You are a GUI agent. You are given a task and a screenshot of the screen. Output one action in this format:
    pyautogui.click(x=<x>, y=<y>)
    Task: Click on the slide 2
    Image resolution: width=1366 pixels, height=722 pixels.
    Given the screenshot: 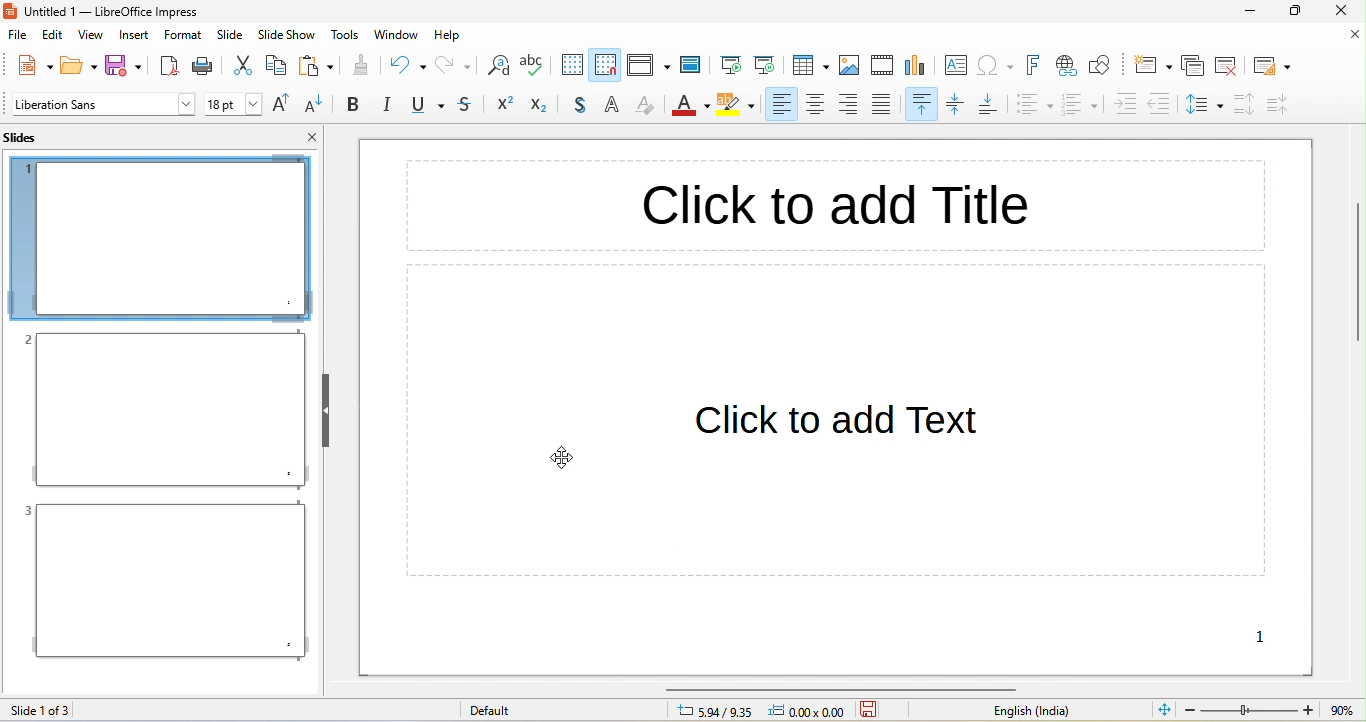 What is the action you would take?
    pyautogui.click(x=164, y=410)
    